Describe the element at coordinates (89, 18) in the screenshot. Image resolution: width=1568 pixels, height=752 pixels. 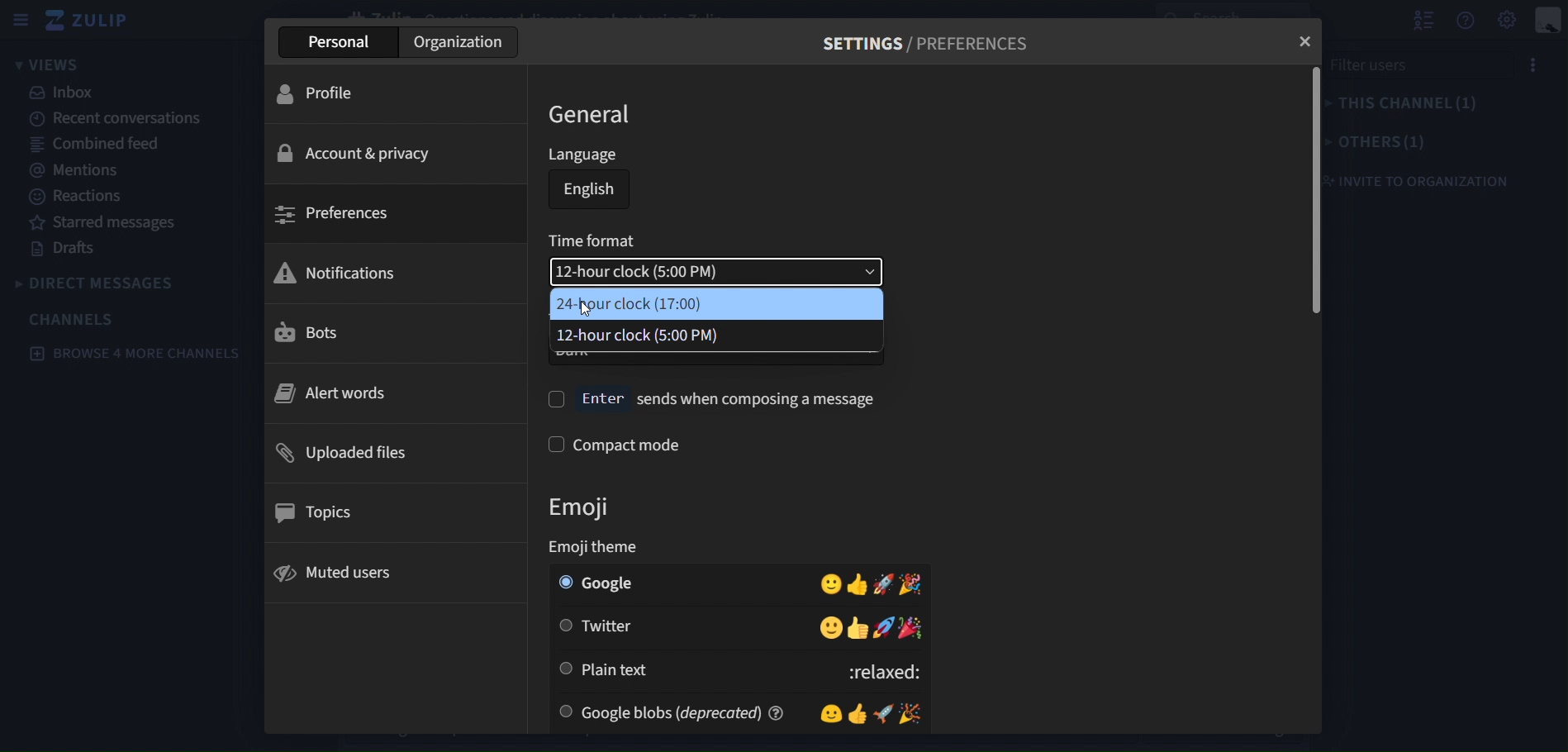
I see `zulip` at that location.